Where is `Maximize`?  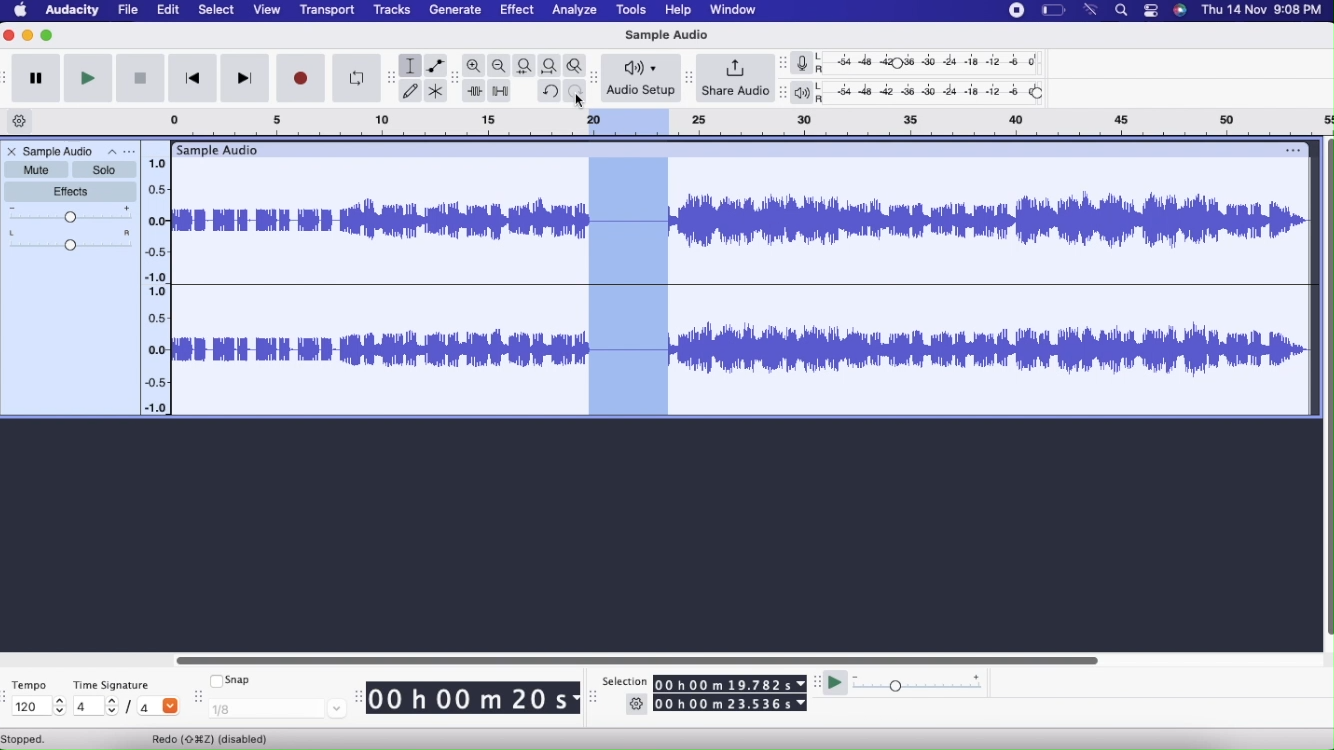 Maximize is located at coordinates (47, 35).